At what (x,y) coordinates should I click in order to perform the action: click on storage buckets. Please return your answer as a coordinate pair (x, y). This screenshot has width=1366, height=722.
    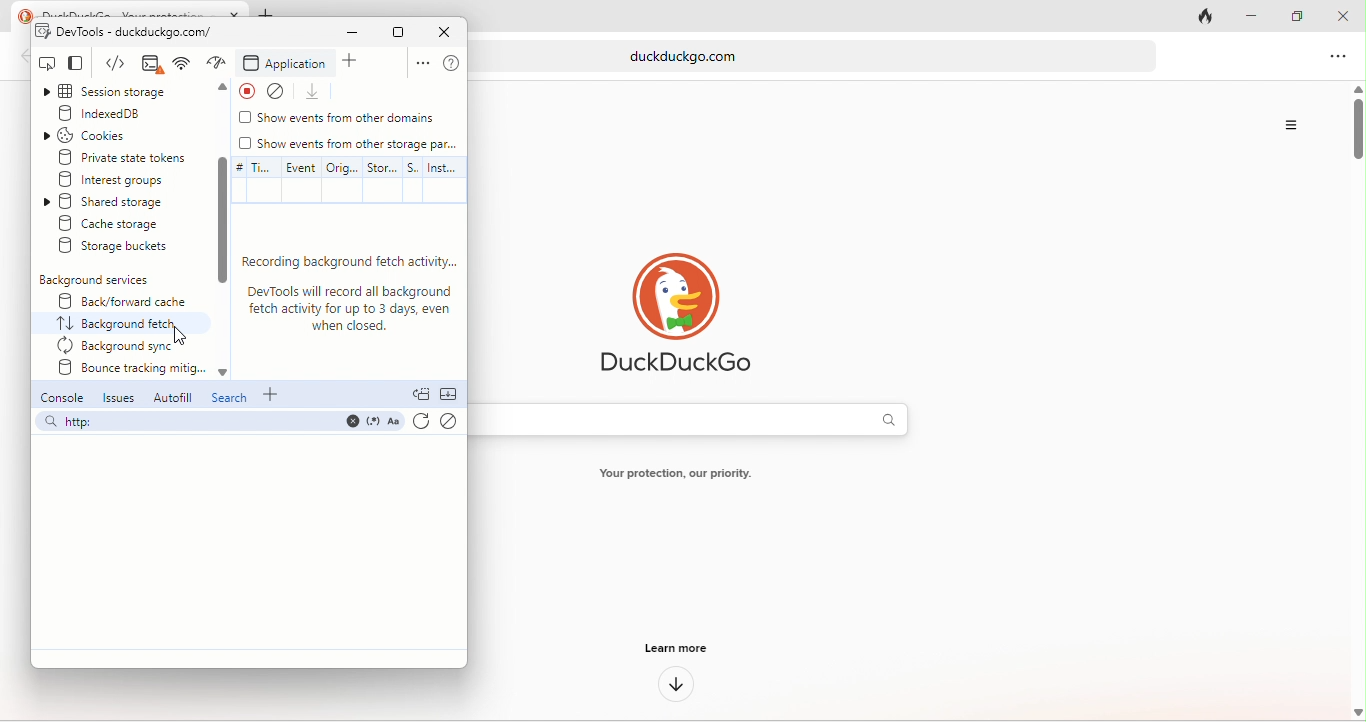
    Looking at the image, I should click on (117, 248).